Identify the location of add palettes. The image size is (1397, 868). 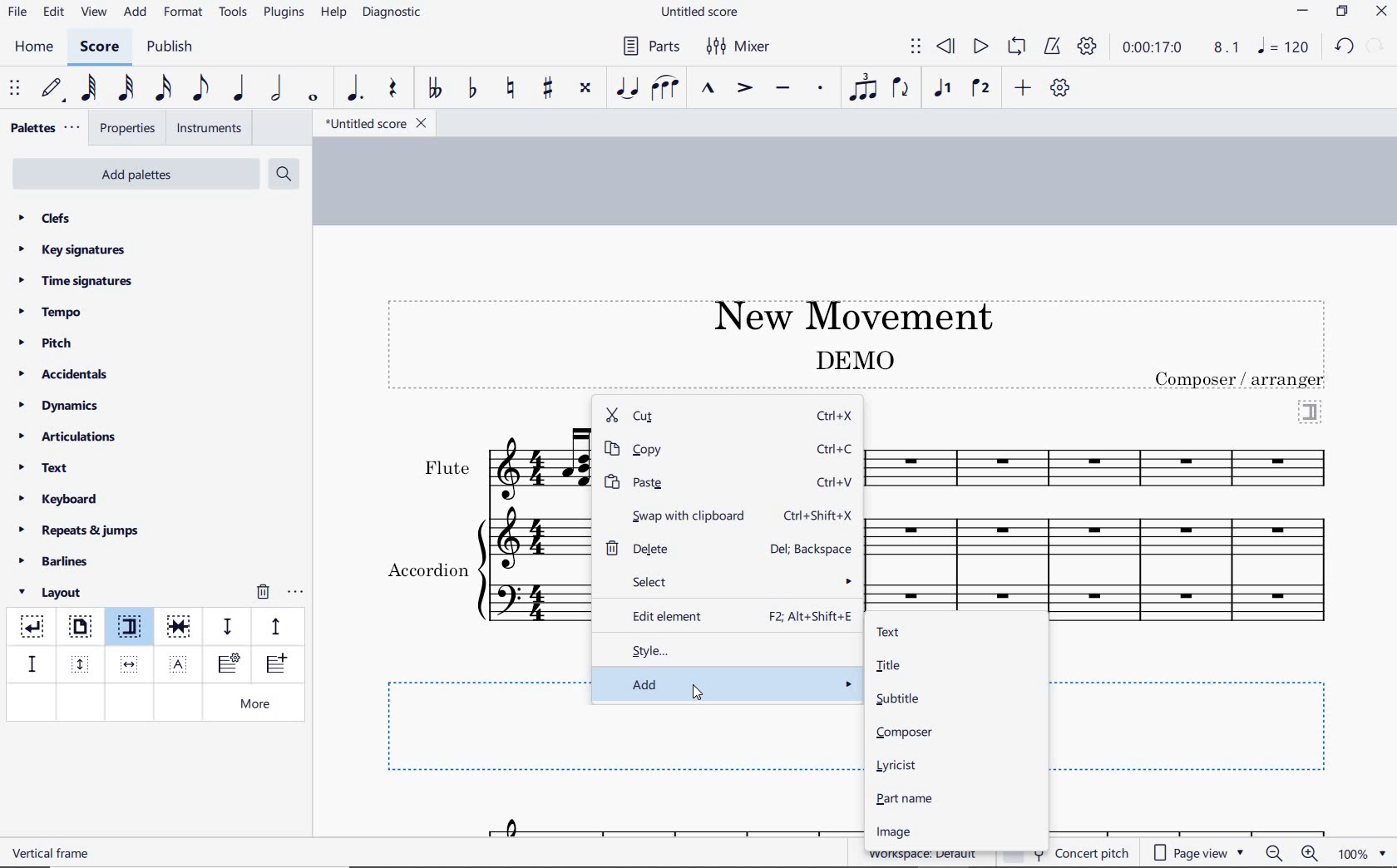
(138, 177).